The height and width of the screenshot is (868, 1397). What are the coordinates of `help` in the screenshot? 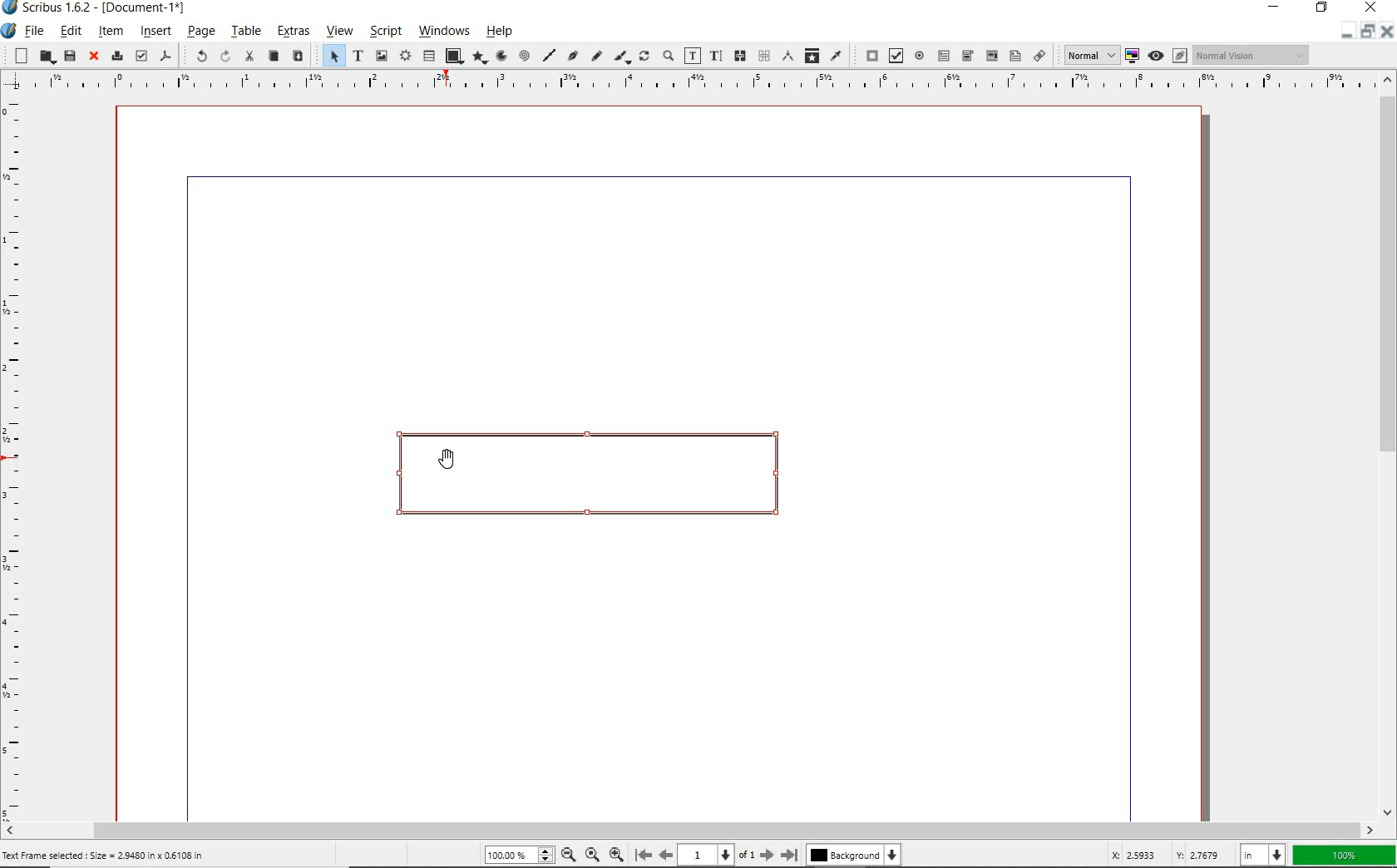 It's located at (503, 31).